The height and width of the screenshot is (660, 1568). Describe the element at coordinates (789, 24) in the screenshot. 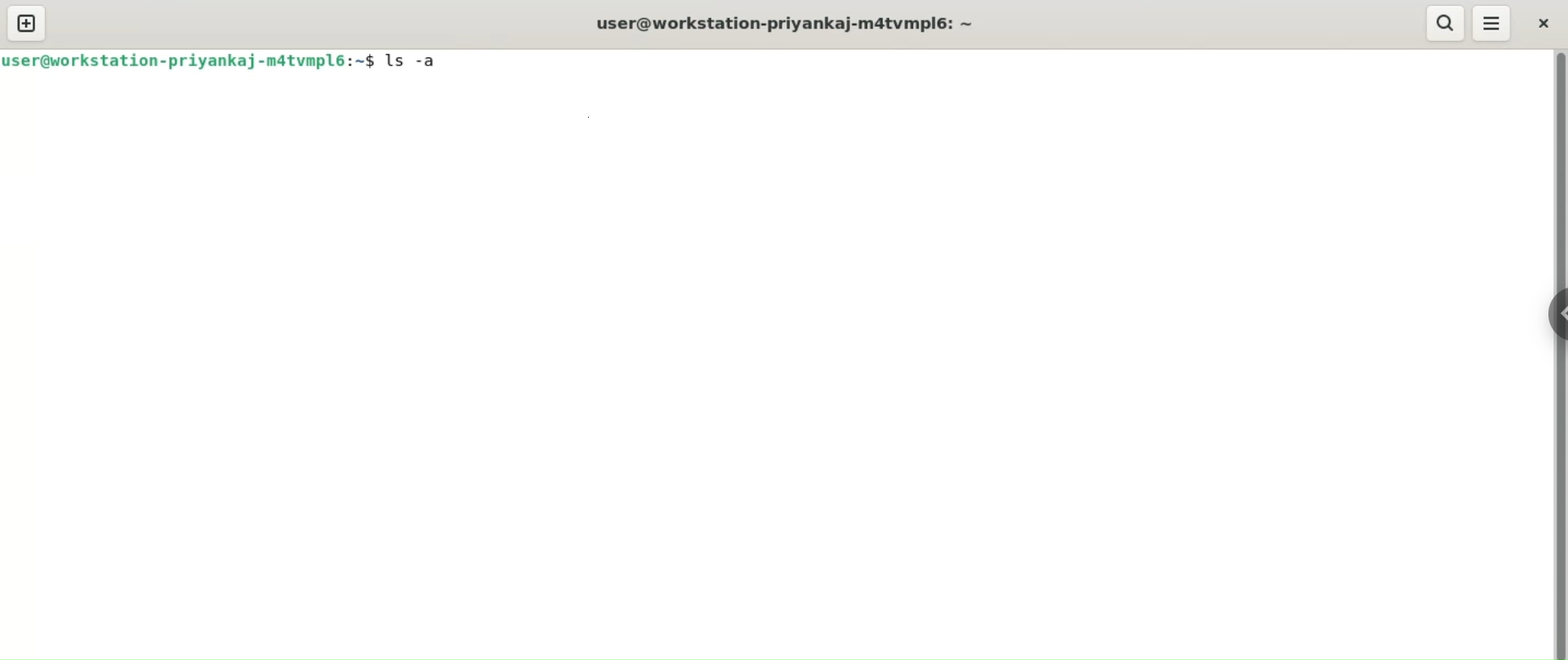

I see `user@workstation-priyankaj-m4tvmpl6: ~` at that location.